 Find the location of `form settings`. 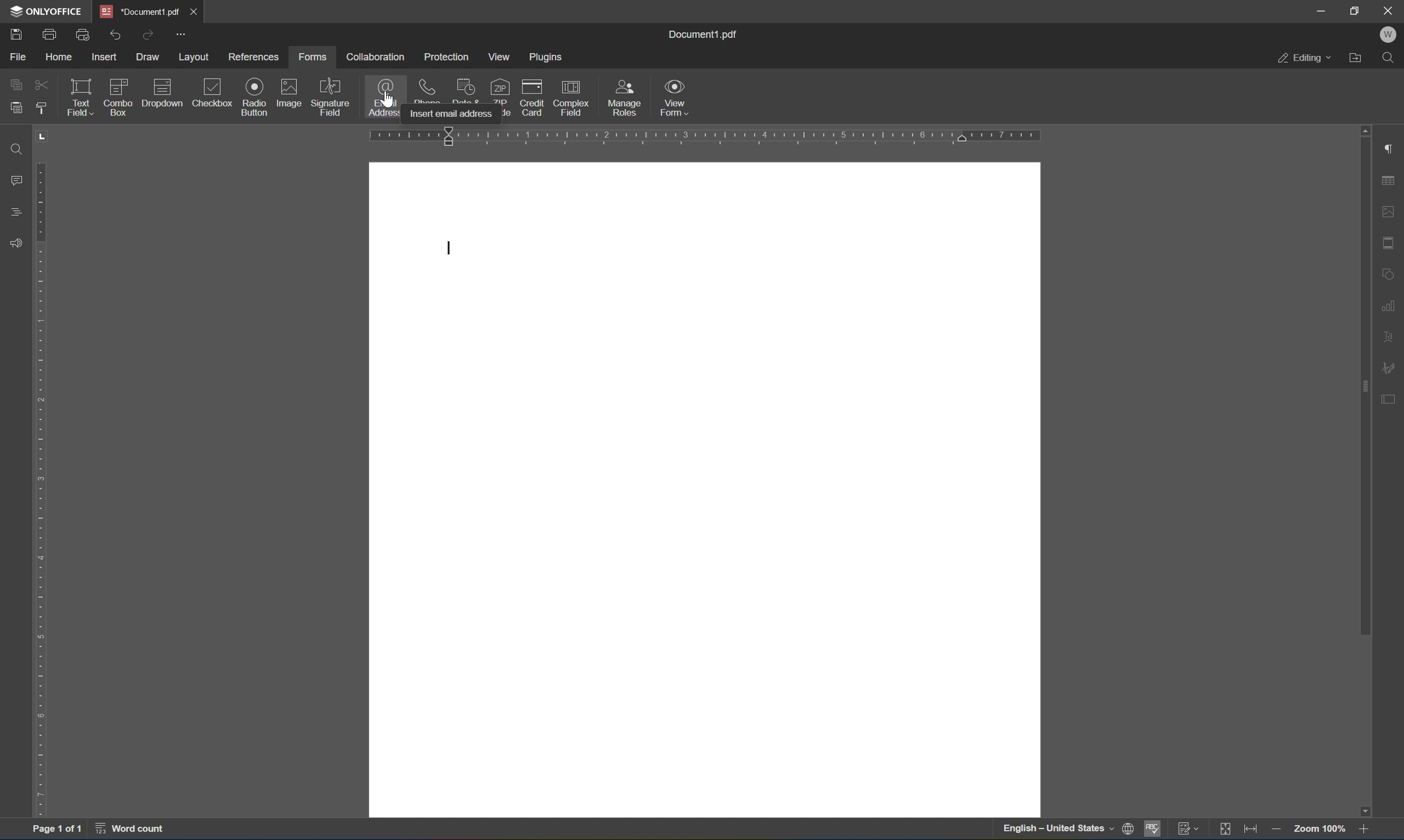

form settings is located at coordinates (1393, 408).